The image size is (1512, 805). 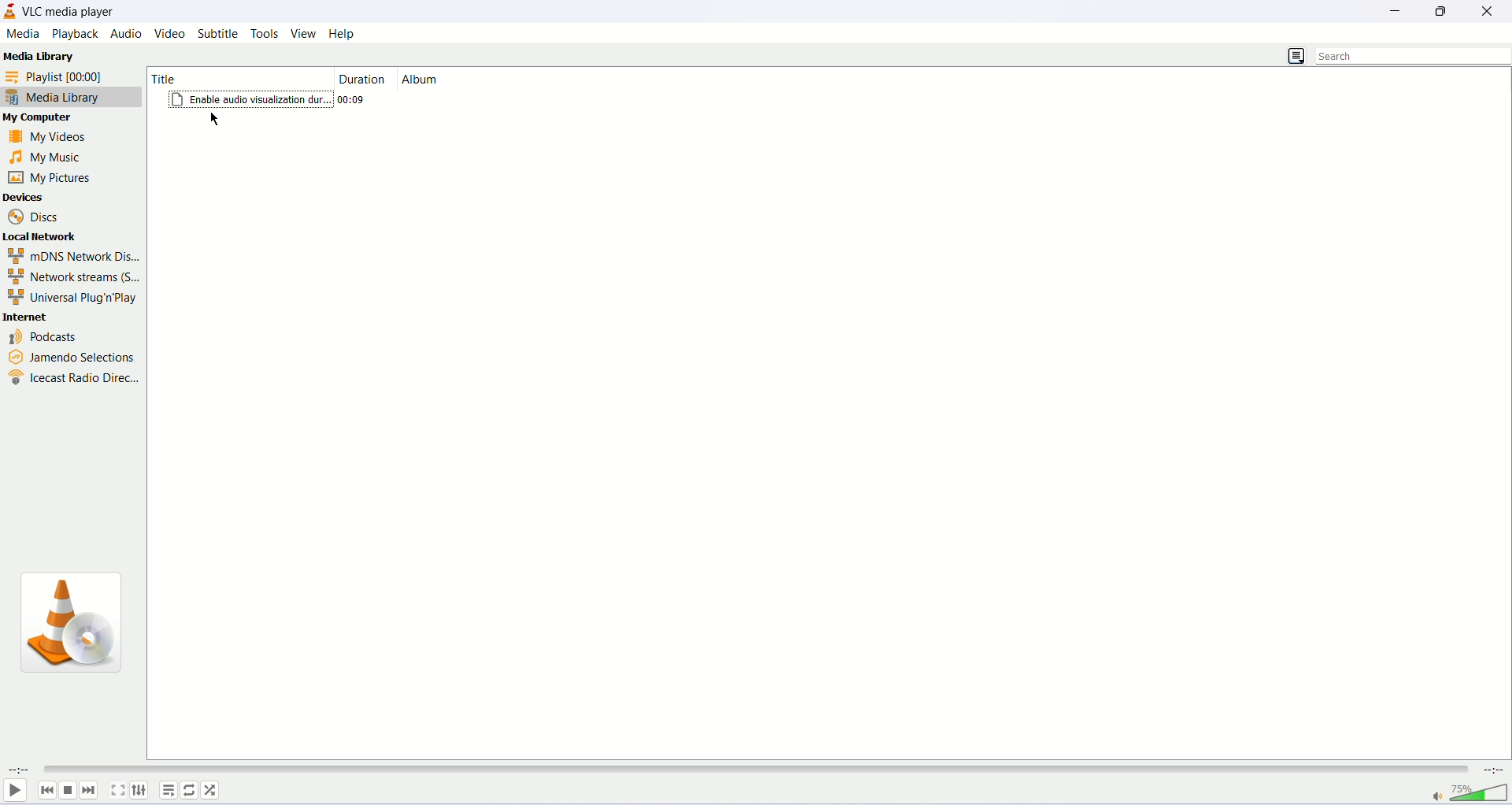 I want to click on maximize, so click(x=1445, y=11).